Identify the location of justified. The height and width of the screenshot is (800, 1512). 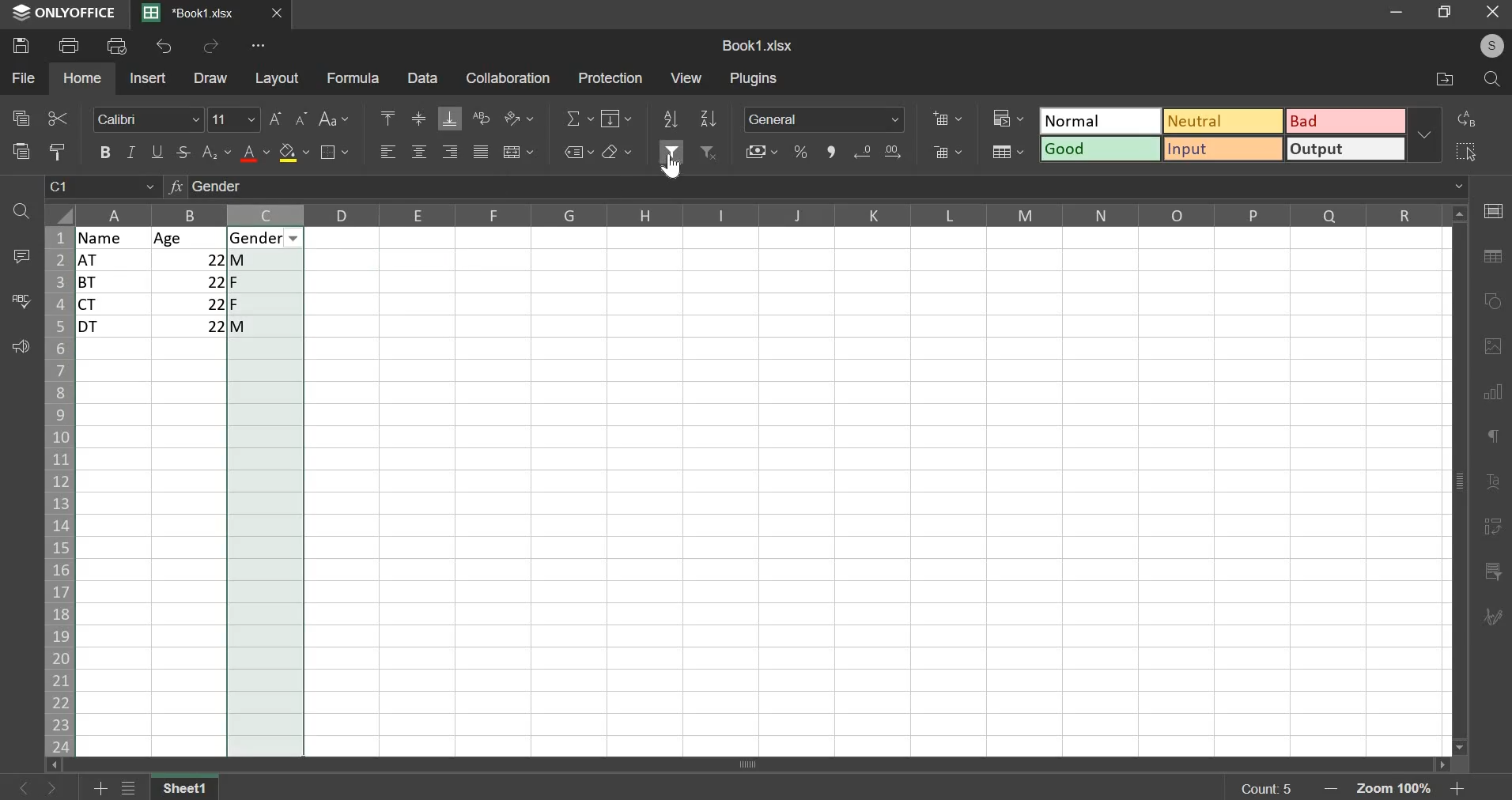
(481, 152).